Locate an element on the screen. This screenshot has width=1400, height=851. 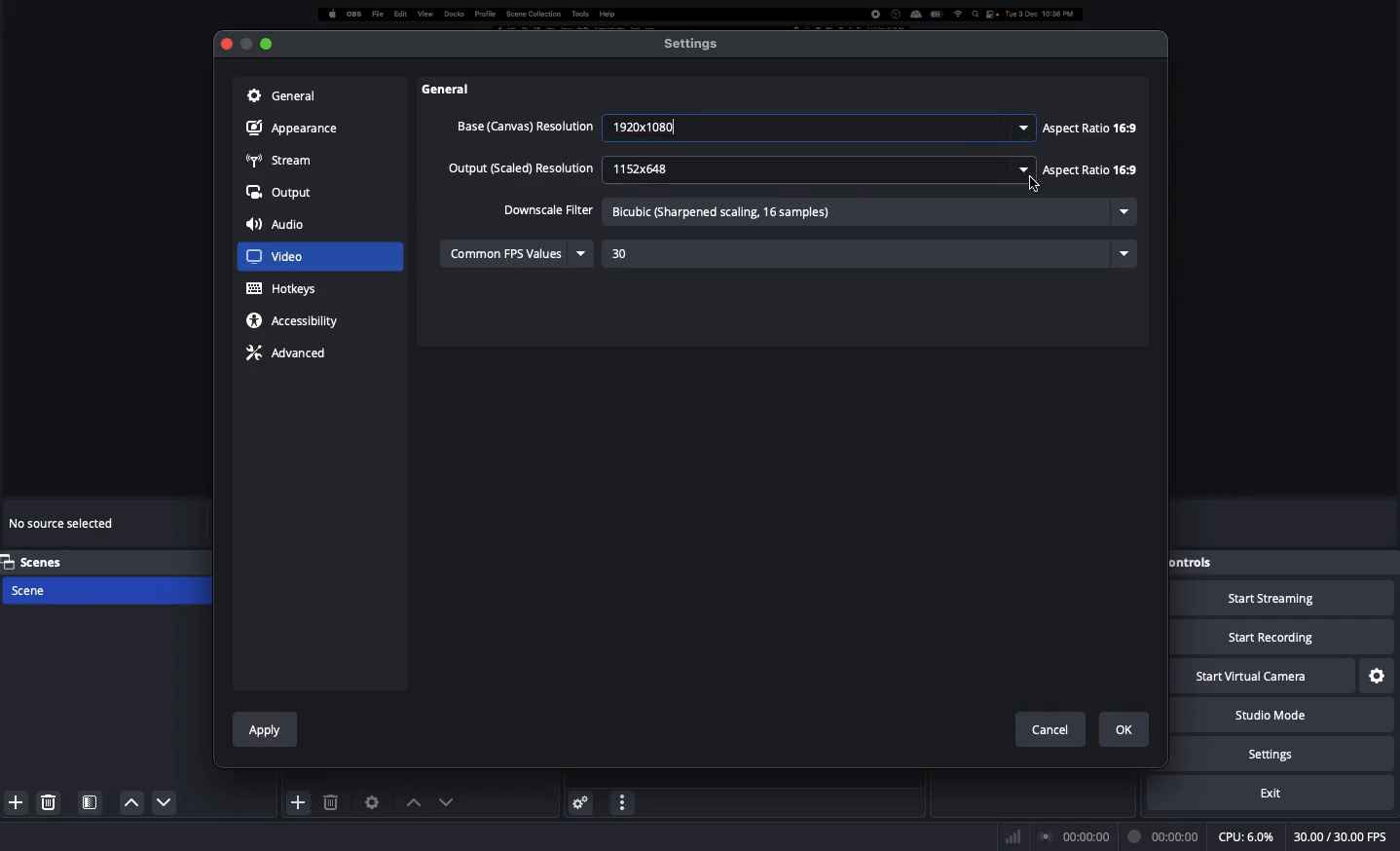
Dimensions is located at coordinates (816, 168).